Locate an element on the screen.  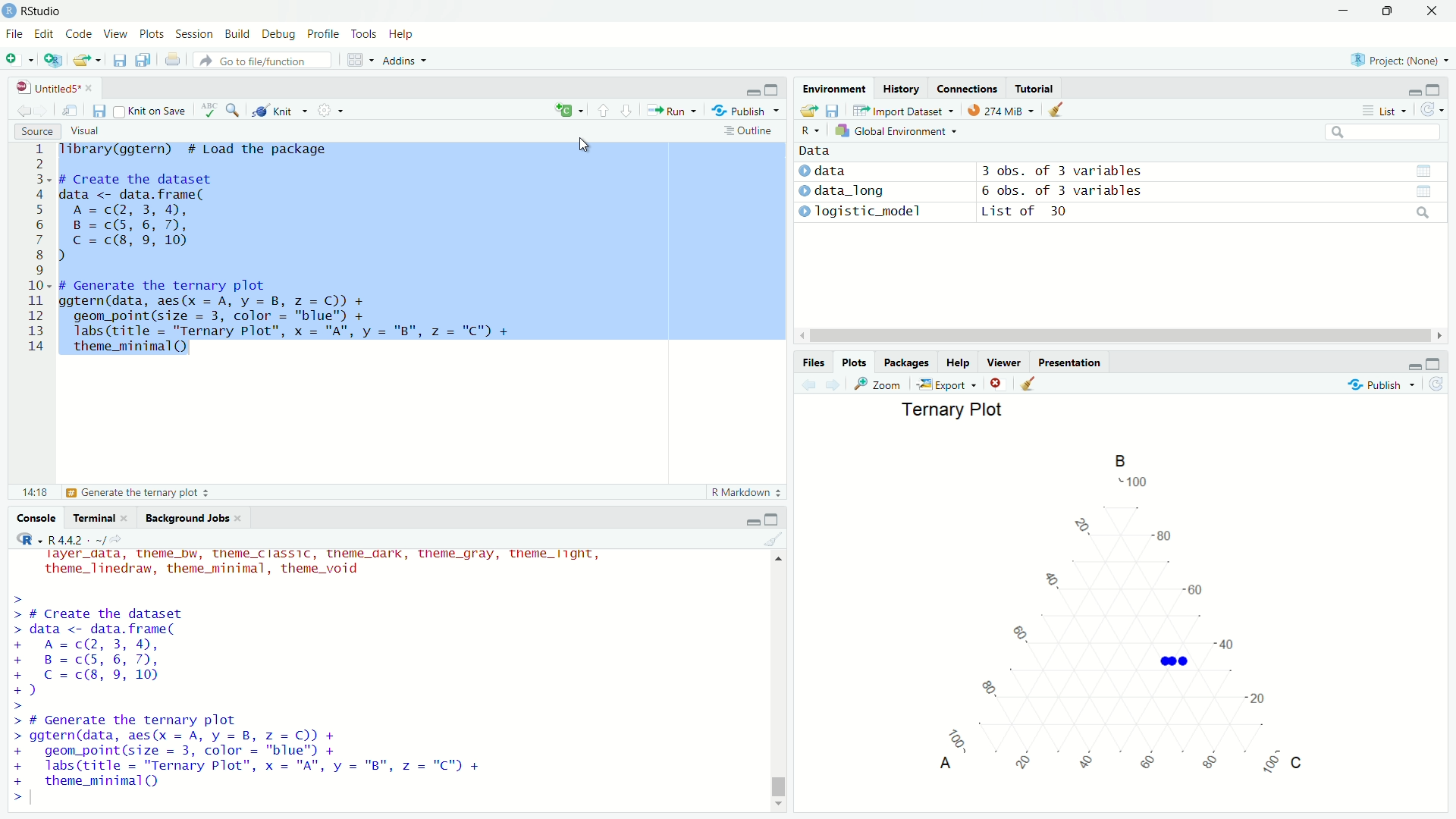
export is located at coordinates (807, 111).